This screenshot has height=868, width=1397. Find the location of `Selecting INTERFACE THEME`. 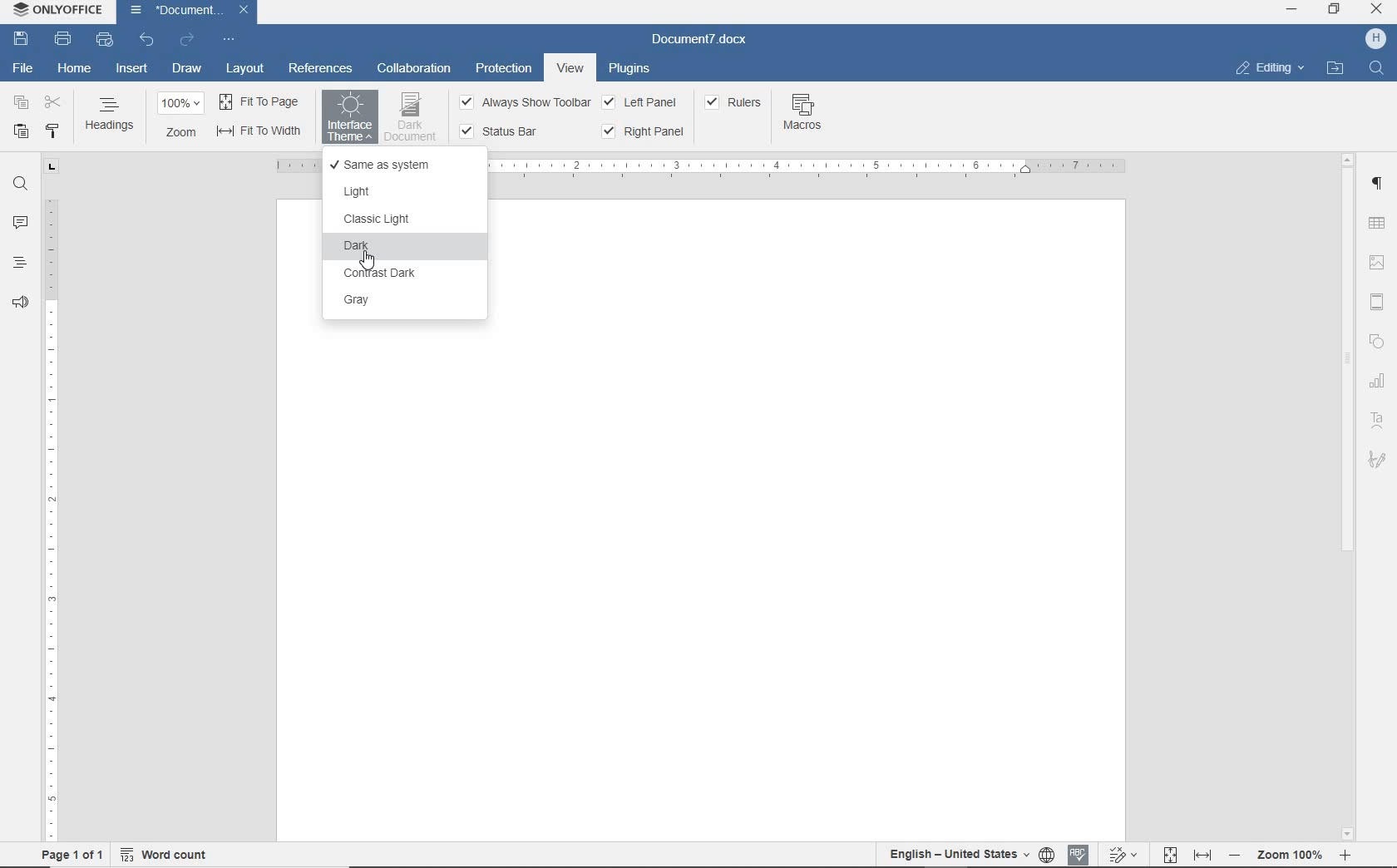

Selecting INTERFACE THEME is located at coordinates (350, 119).